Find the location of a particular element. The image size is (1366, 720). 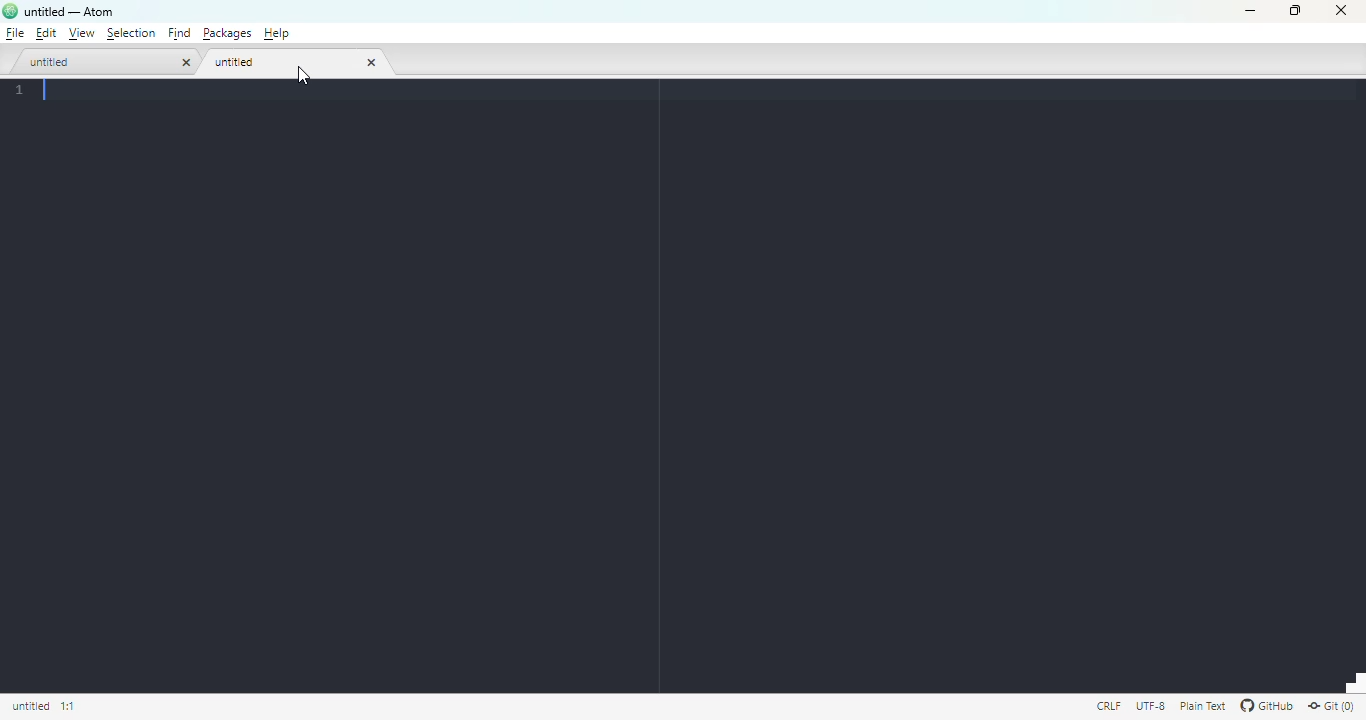

1:1 is located at coordinates (71, 705).